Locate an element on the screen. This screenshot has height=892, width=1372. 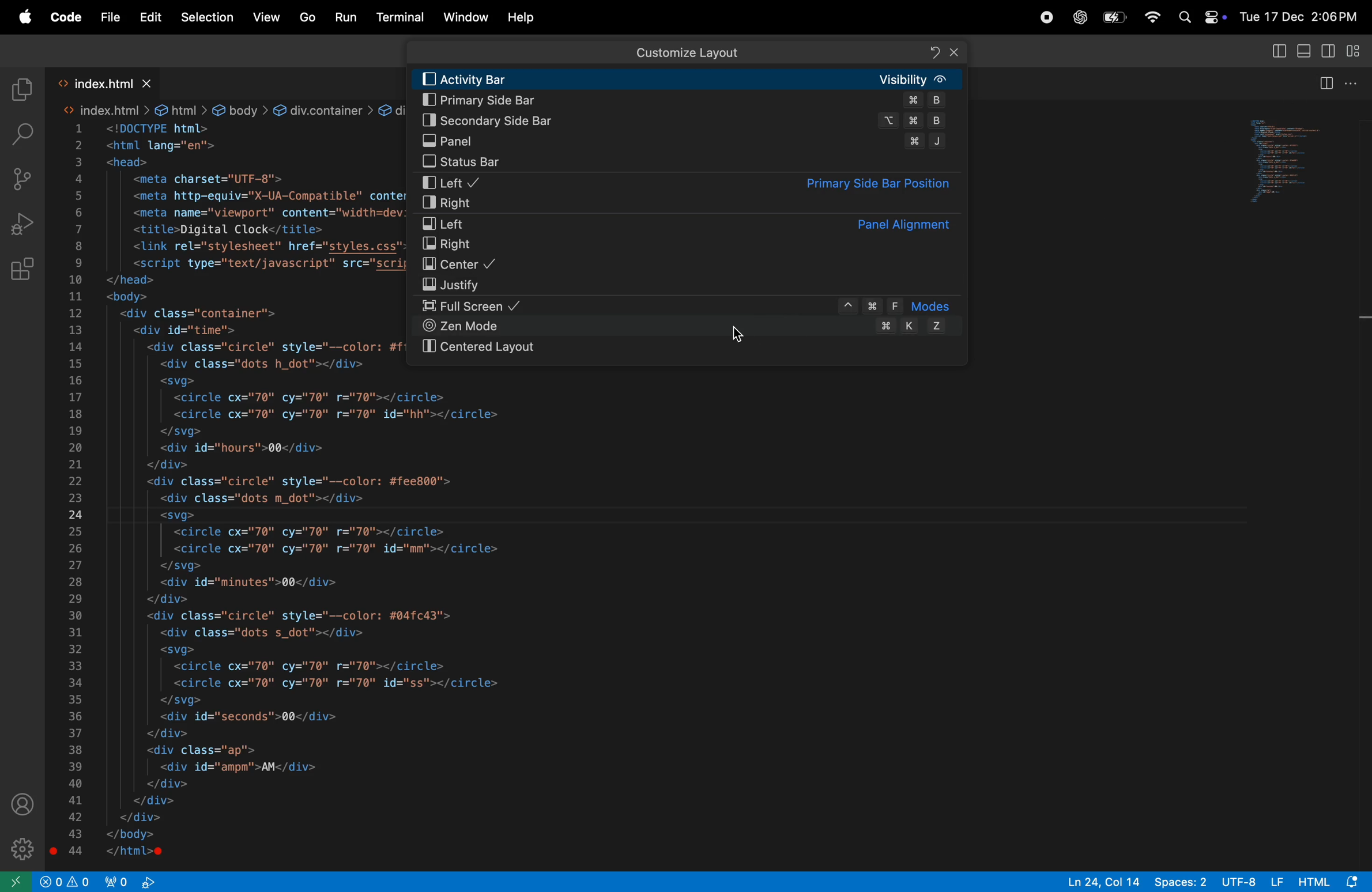
Apple mneu is located at coordinates (22, 17).